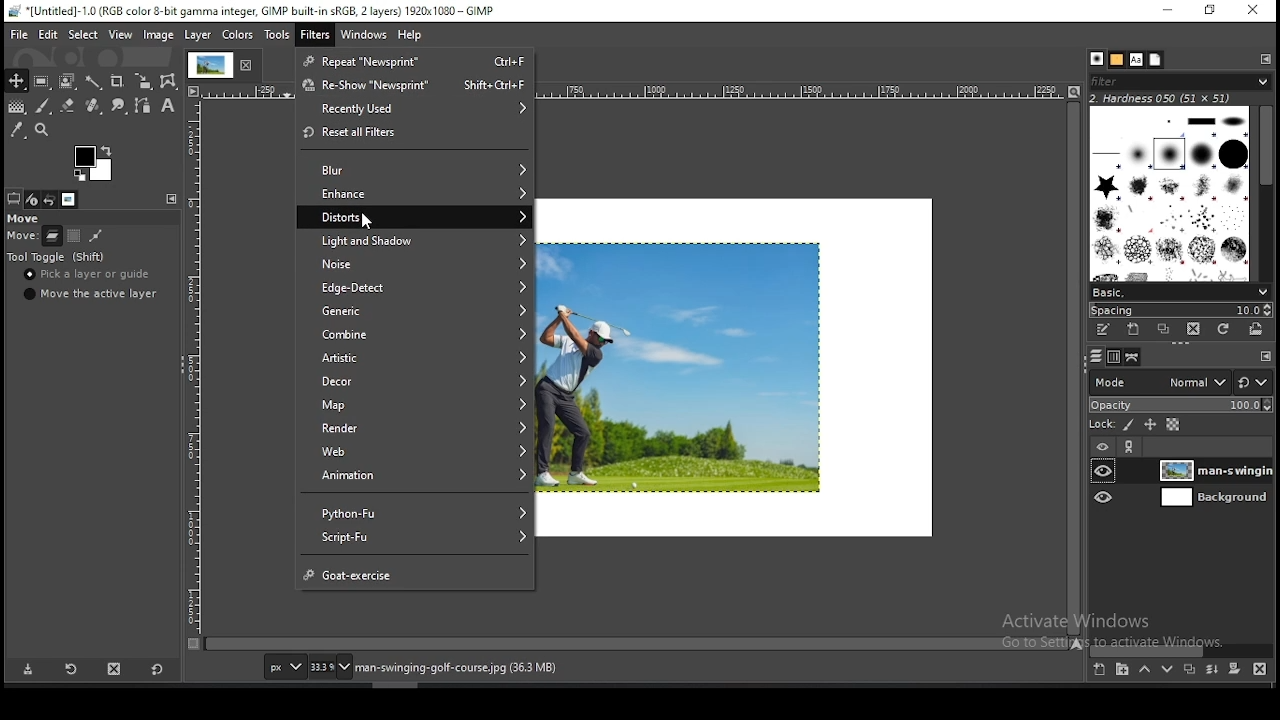 The width and height of the screenshot is (1280, 720). Describe the element at coordinates (1144, 669) in the screenshot. I see `move layer one step up` at that location.